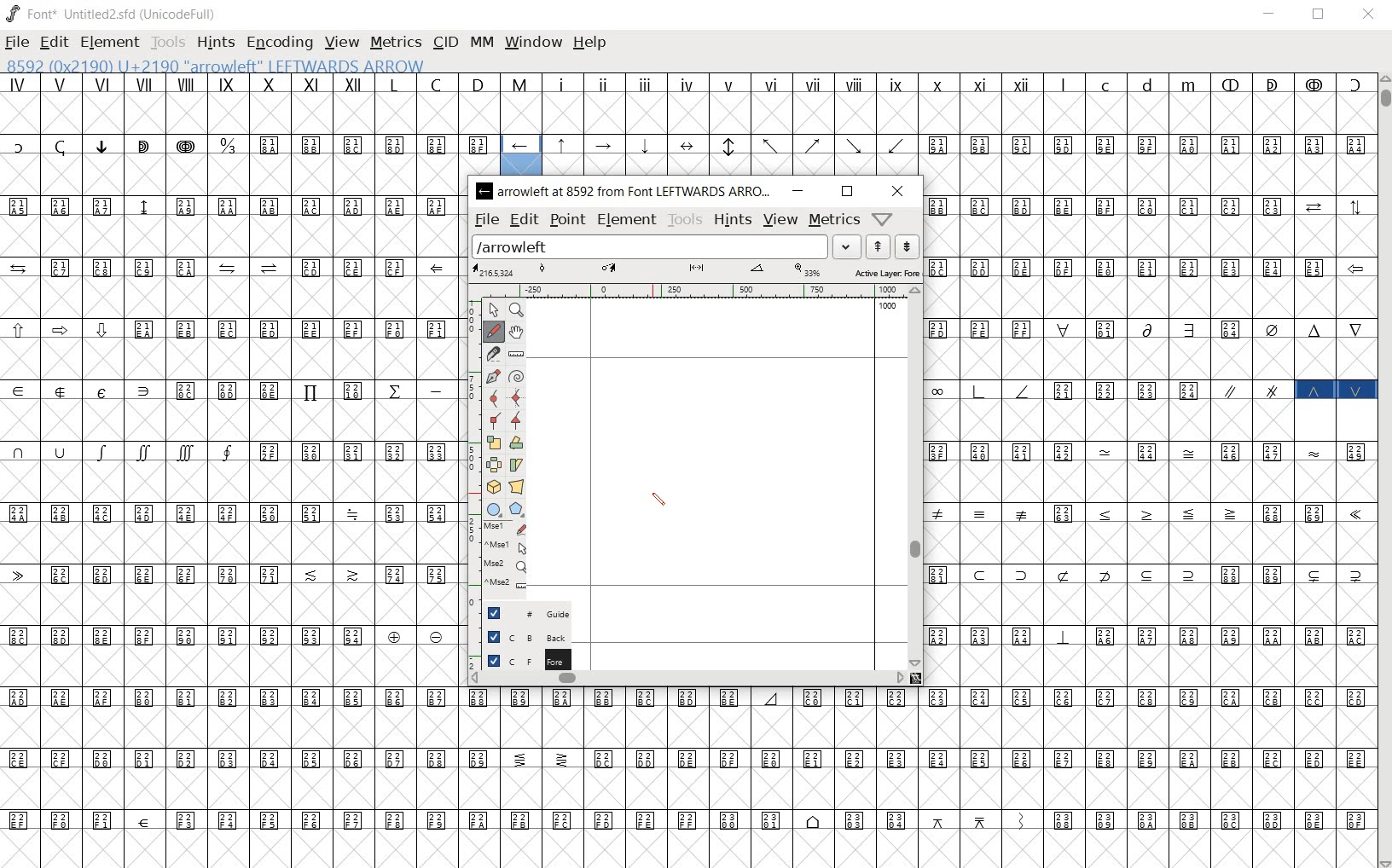 This screenshot has height=868, width=1392. I want to click on close, so click(1368, 16).